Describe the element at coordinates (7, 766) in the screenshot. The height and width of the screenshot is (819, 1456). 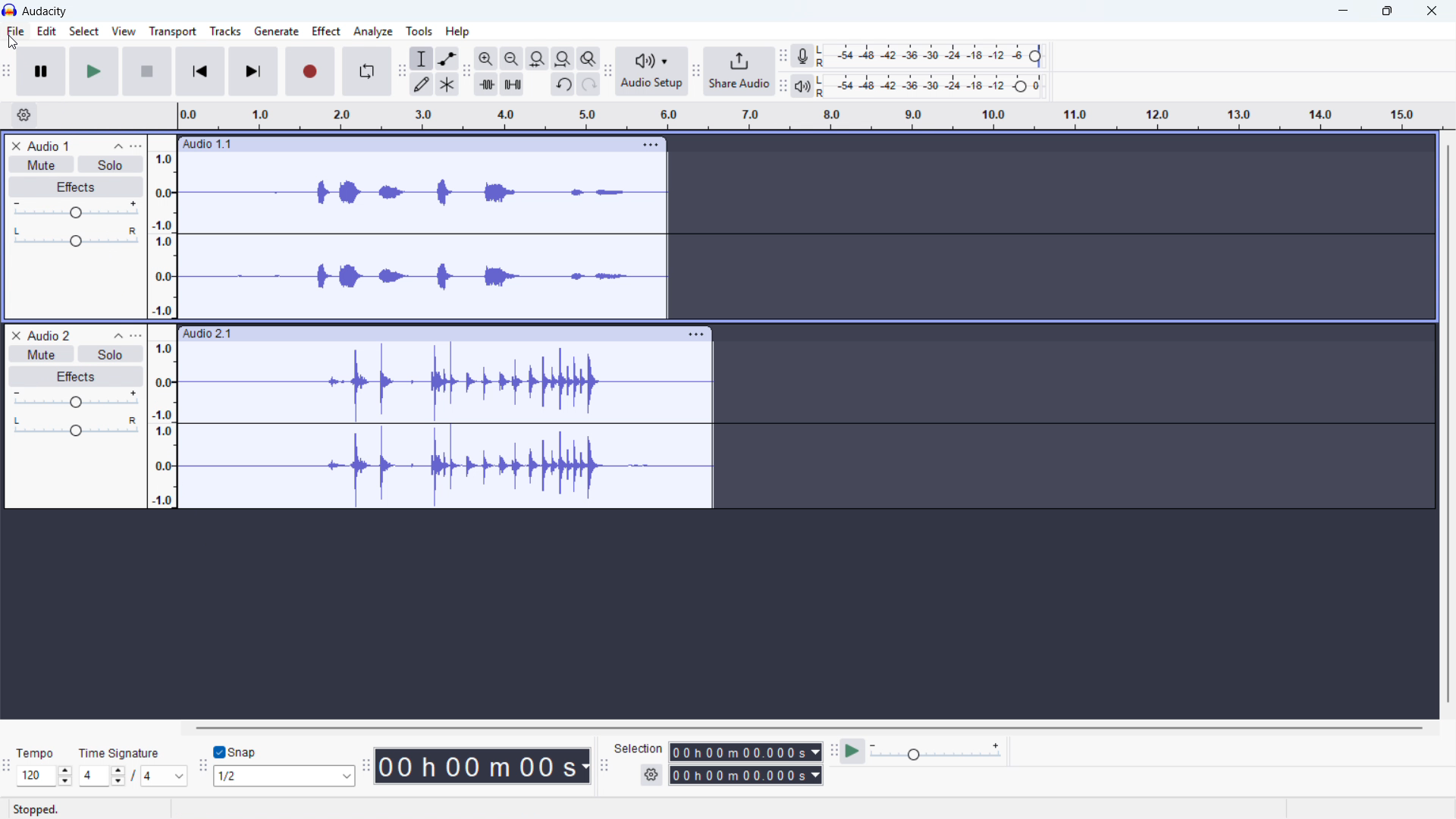
I see `time signature toolbar` at that location.